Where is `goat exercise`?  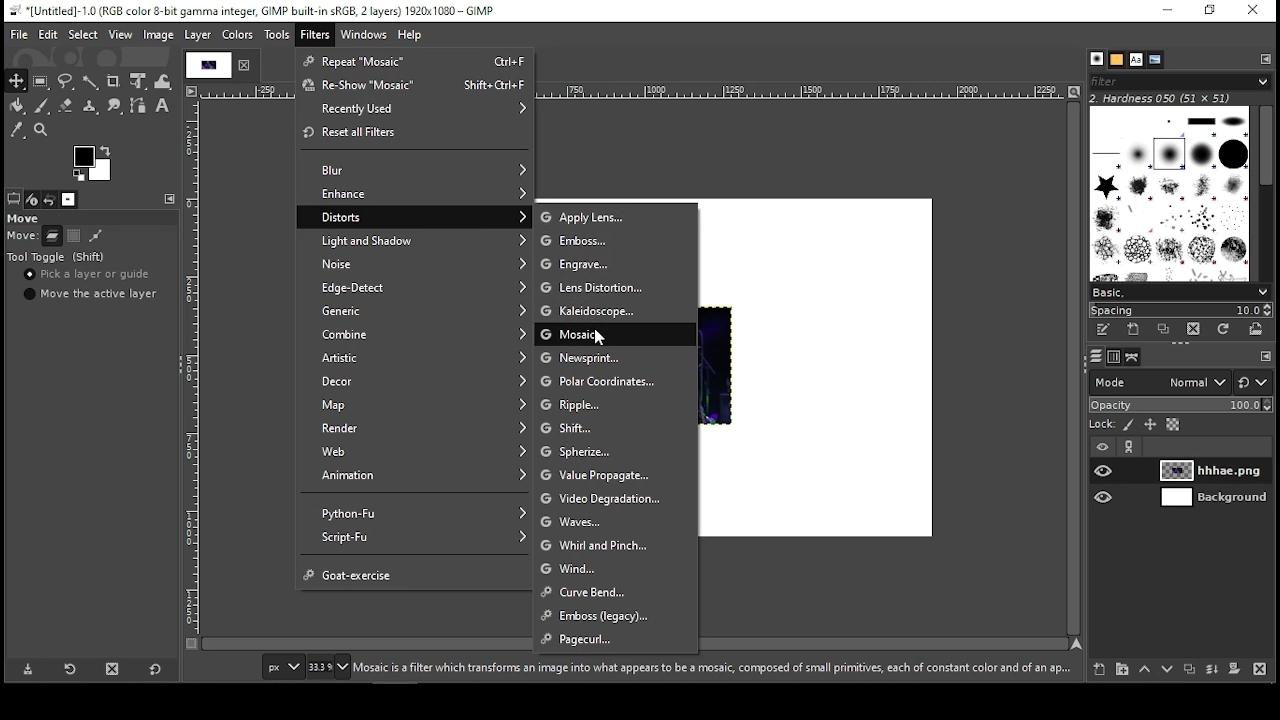 goat exercise is located at coordinates (418, 574).